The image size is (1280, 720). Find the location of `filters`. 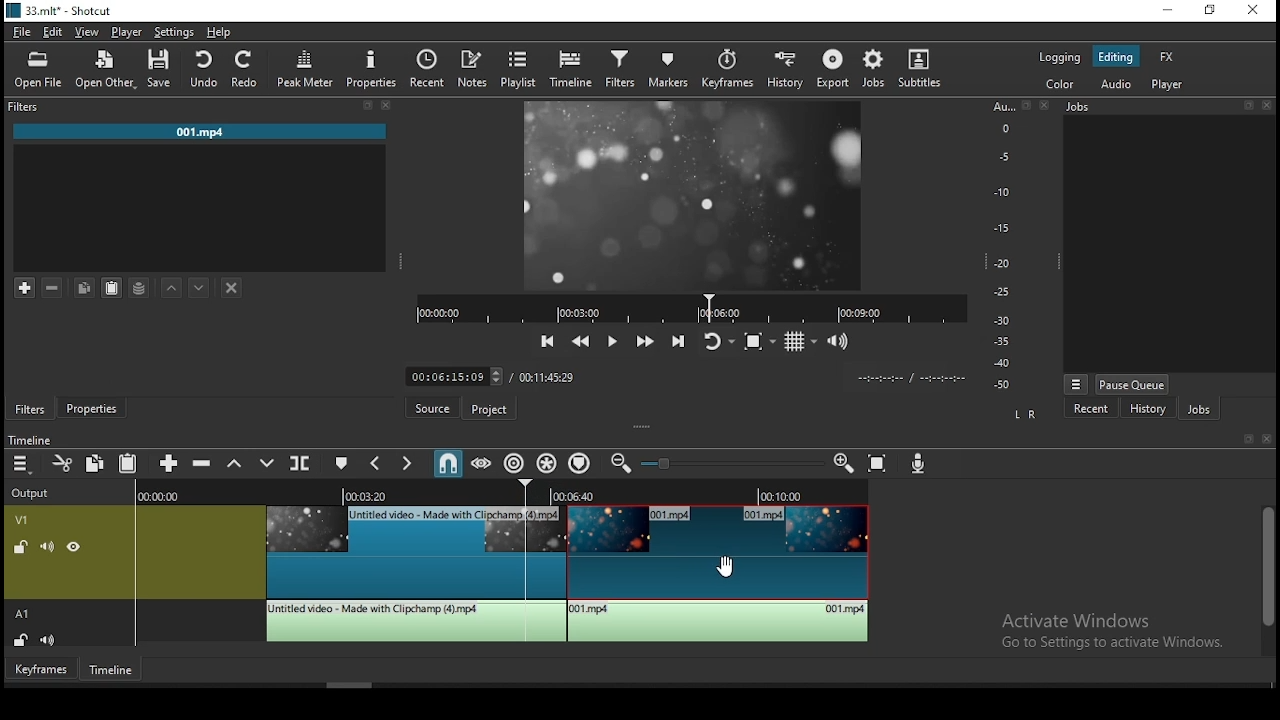

filters is located at coordinates (619, 70).